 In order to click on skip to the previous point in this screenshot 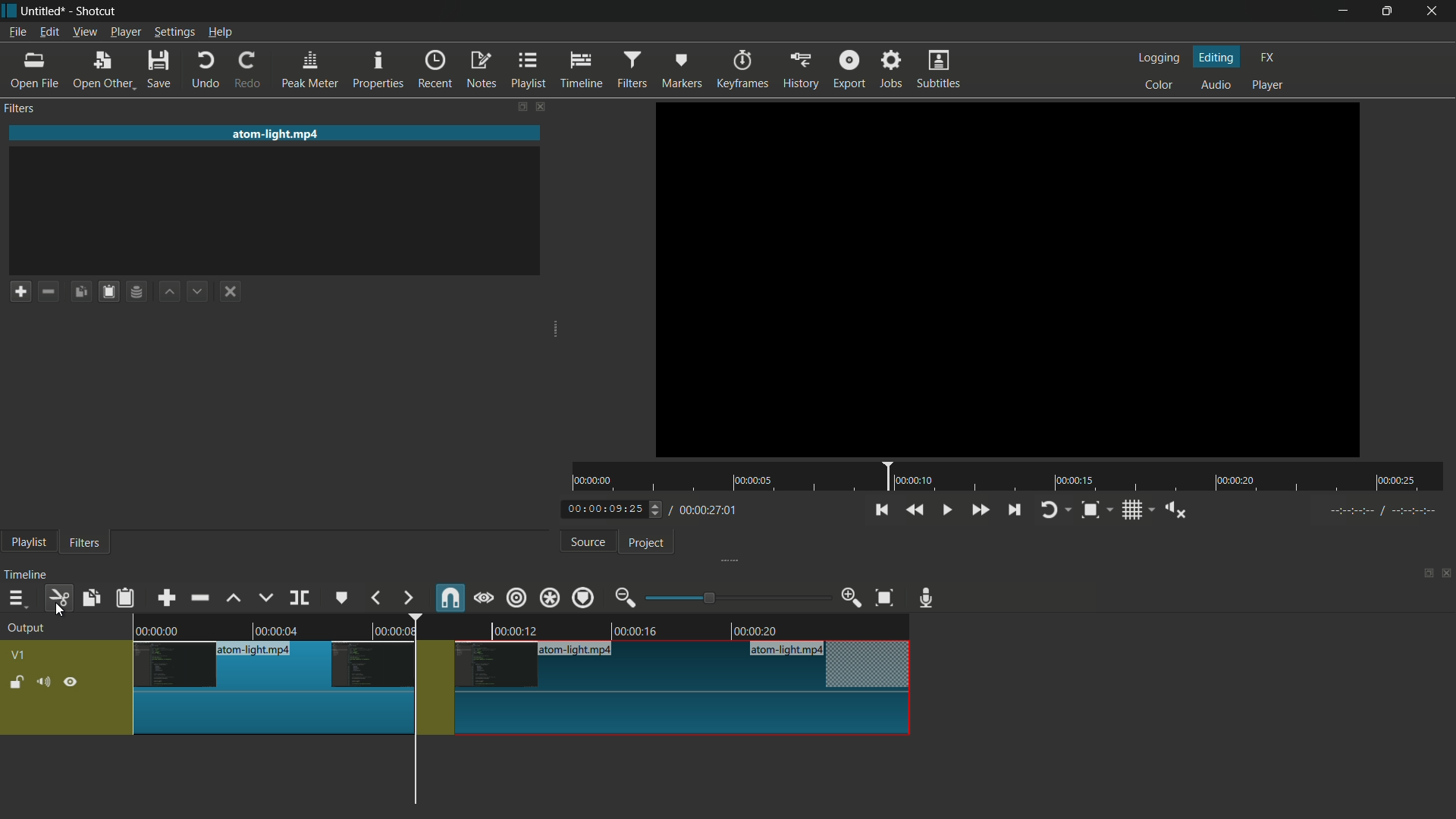, I will do `click(881, 510)`.